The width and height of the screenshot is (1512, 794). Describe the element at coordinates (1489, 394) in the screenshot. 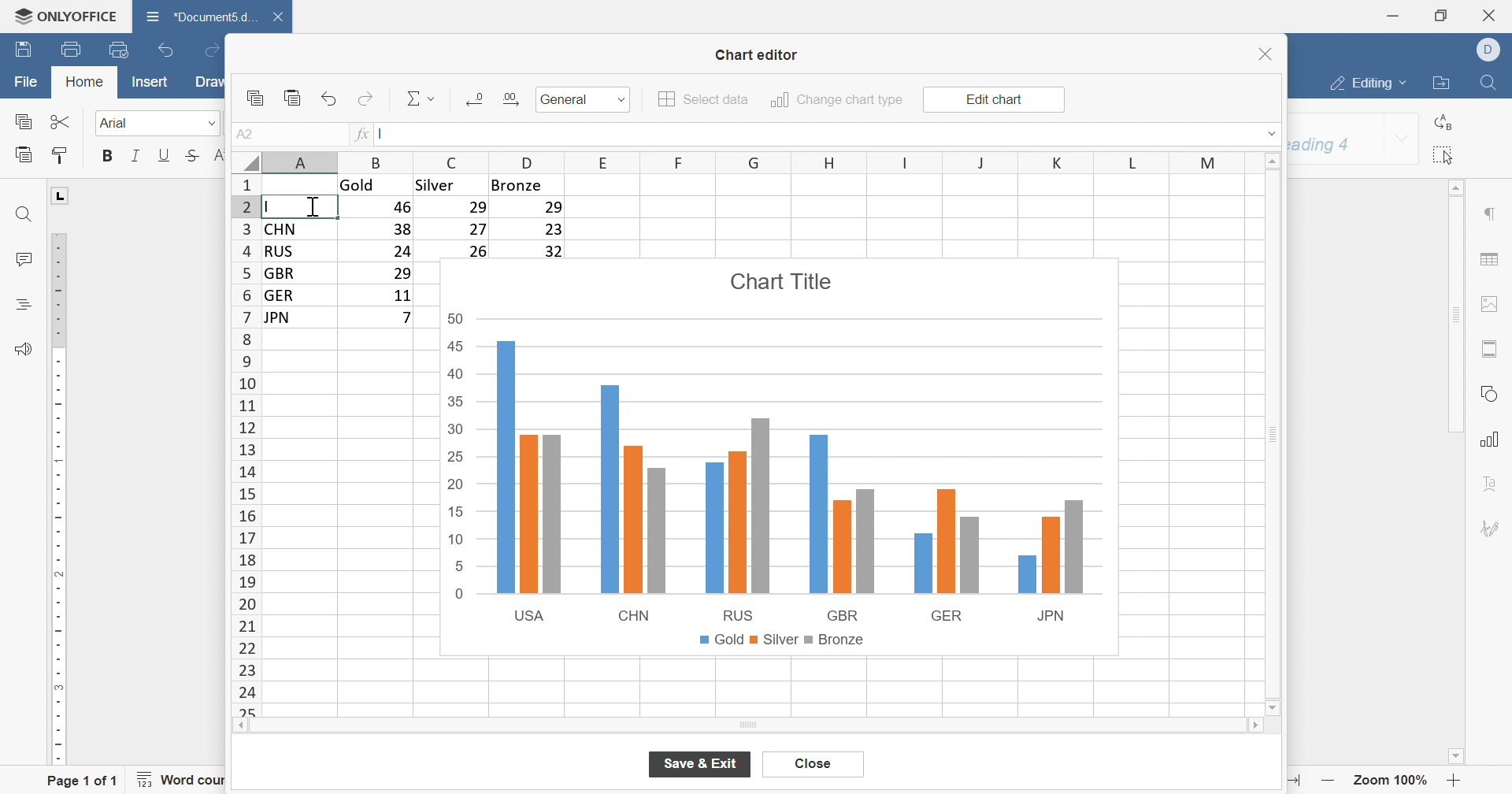

I see `shape settings` at that location.